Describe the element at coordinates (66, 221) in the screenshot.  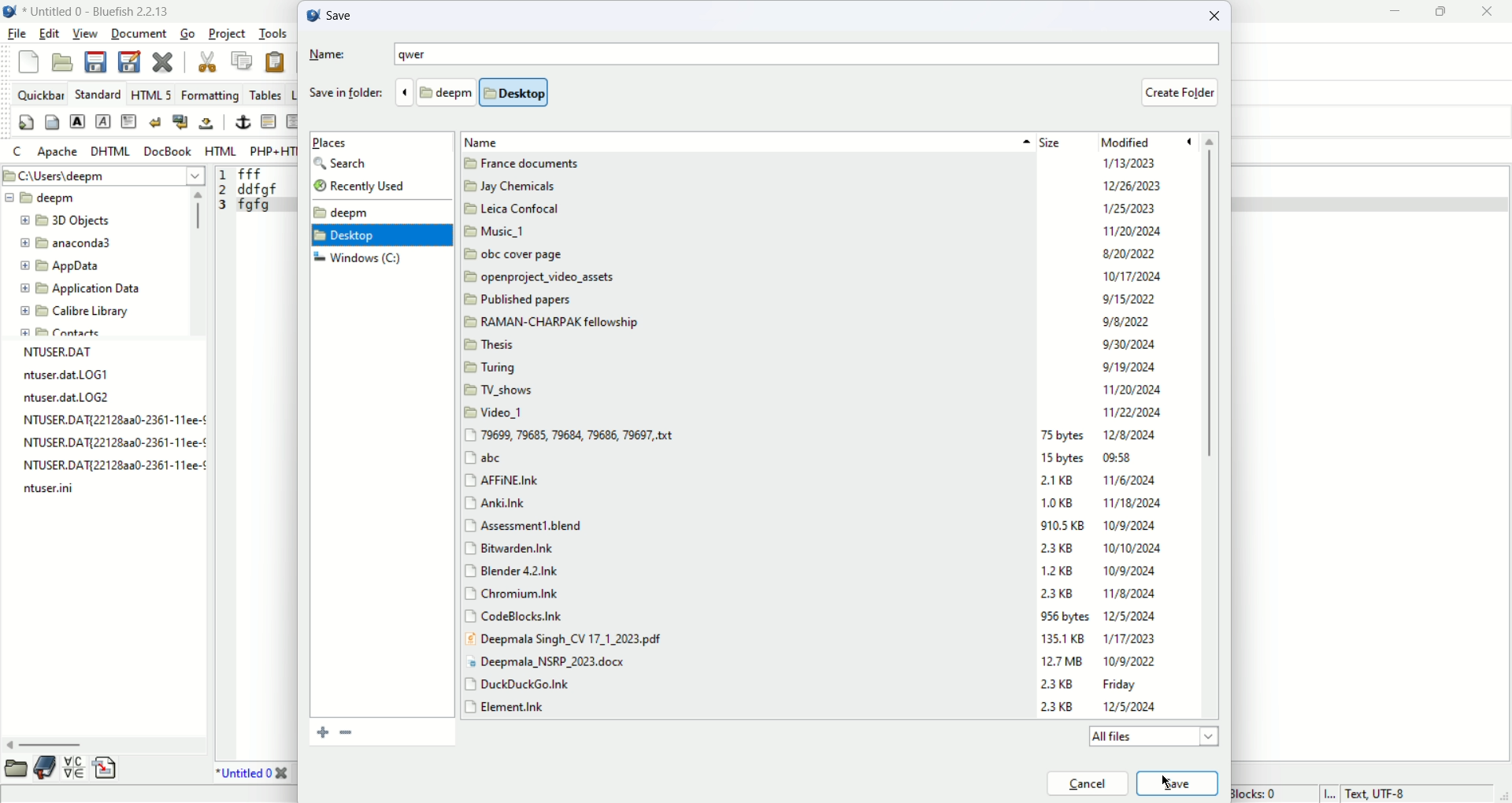
I see `3D objects` at that location.